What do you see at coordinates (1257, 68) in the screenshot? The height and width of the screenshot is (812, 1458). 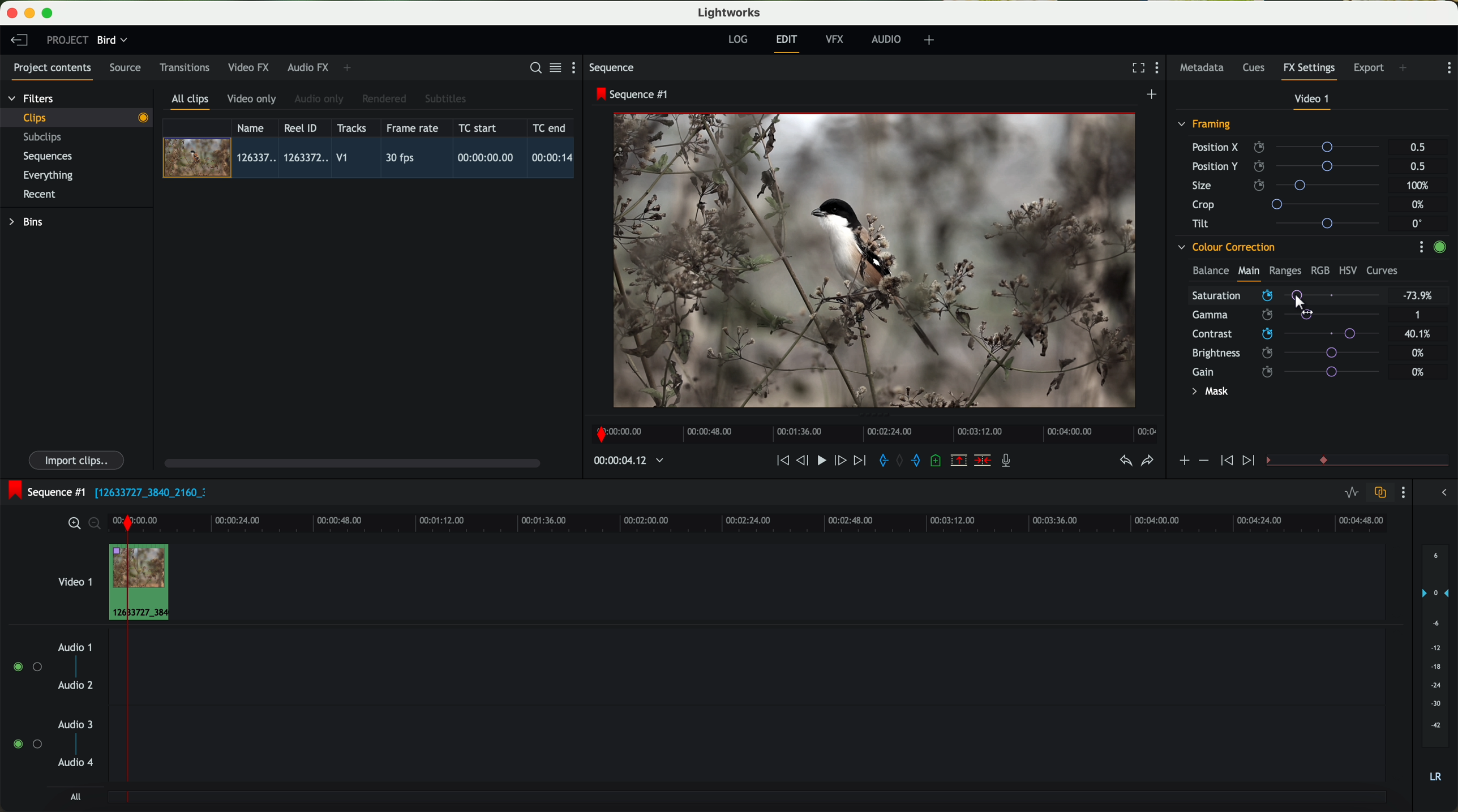 I see `cues` at bounding box center [1257, 68].